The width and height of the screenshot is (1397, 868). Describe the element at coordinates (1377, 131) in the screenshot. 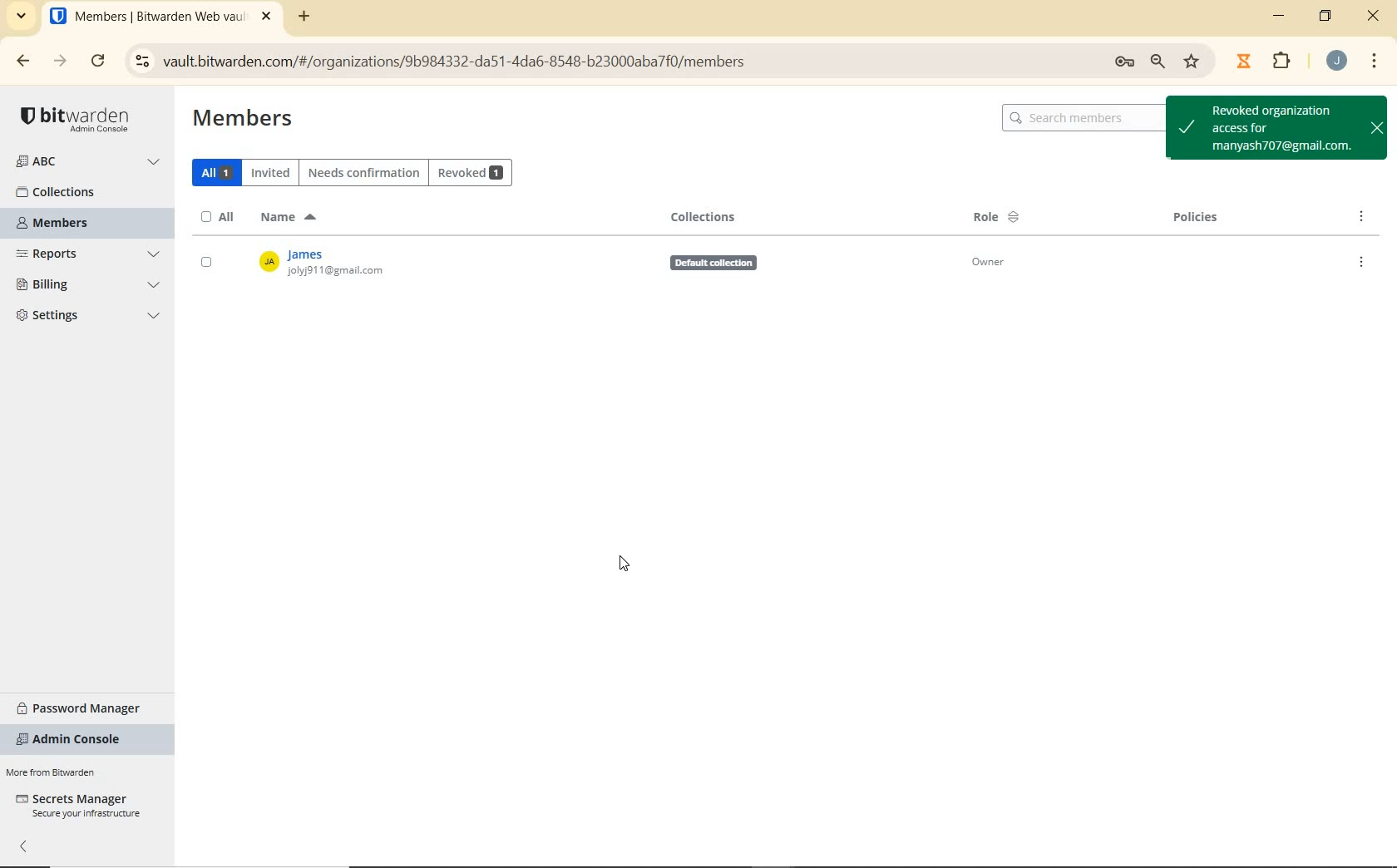

I see `close` at that location.